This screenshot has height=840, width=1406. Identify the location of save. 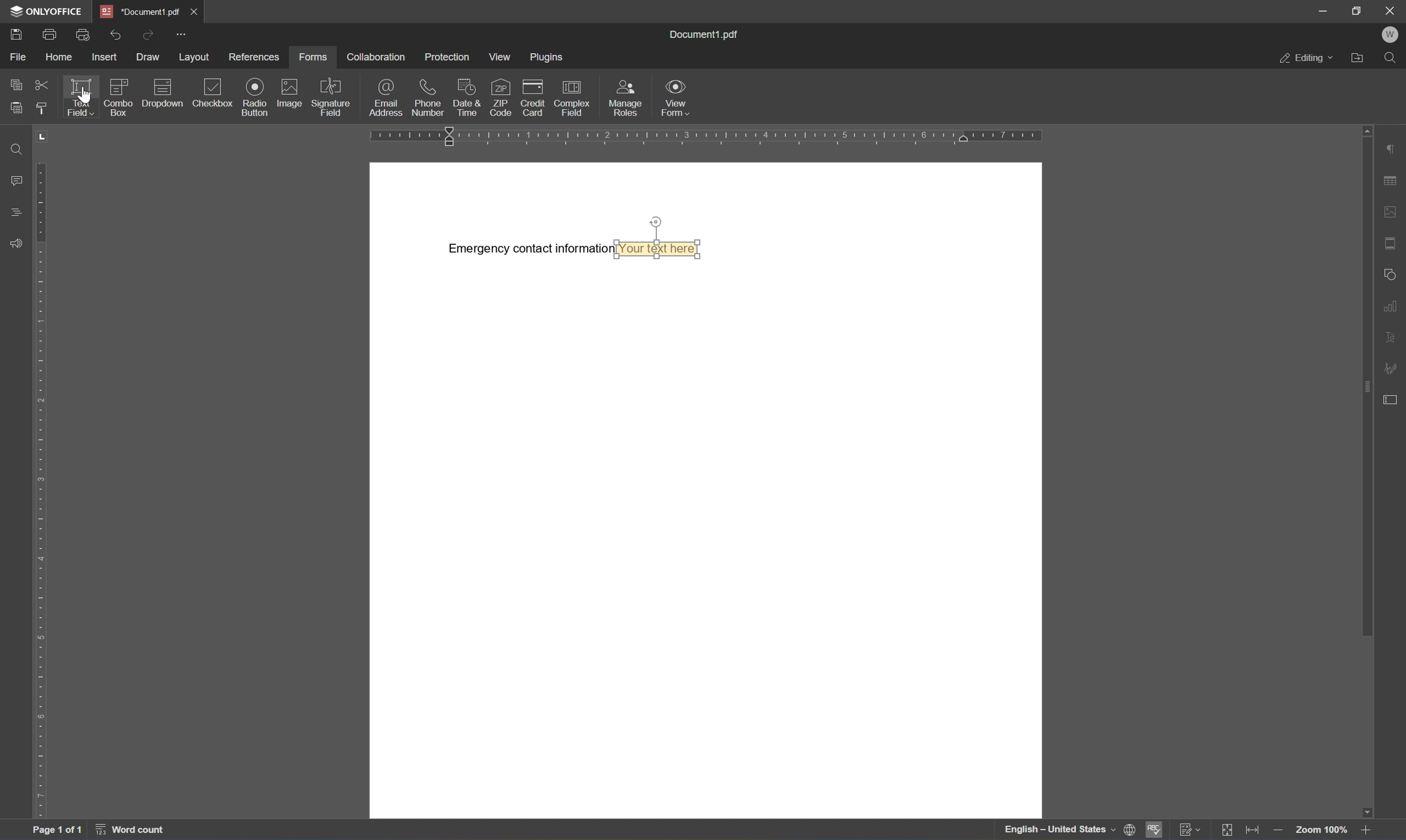
(19, 32).